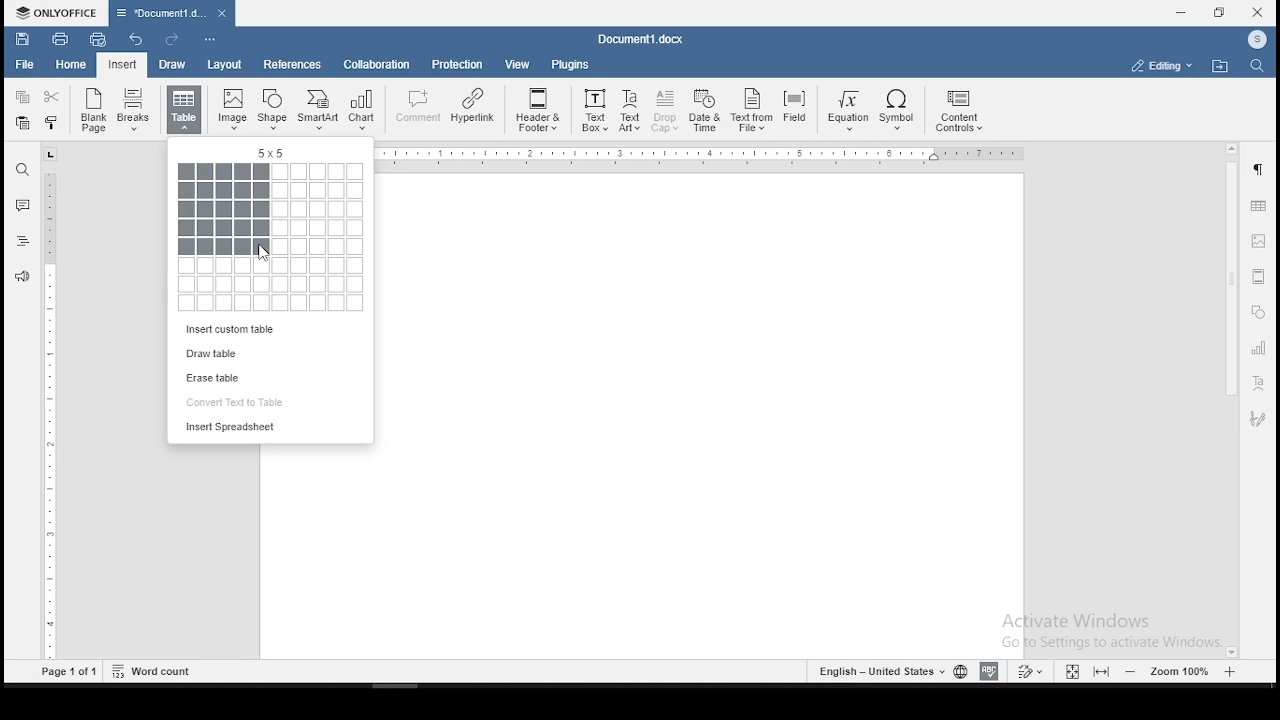  Describe the element at coordinates (593, 111) in the screenshot. I see `Text Box` at that location.